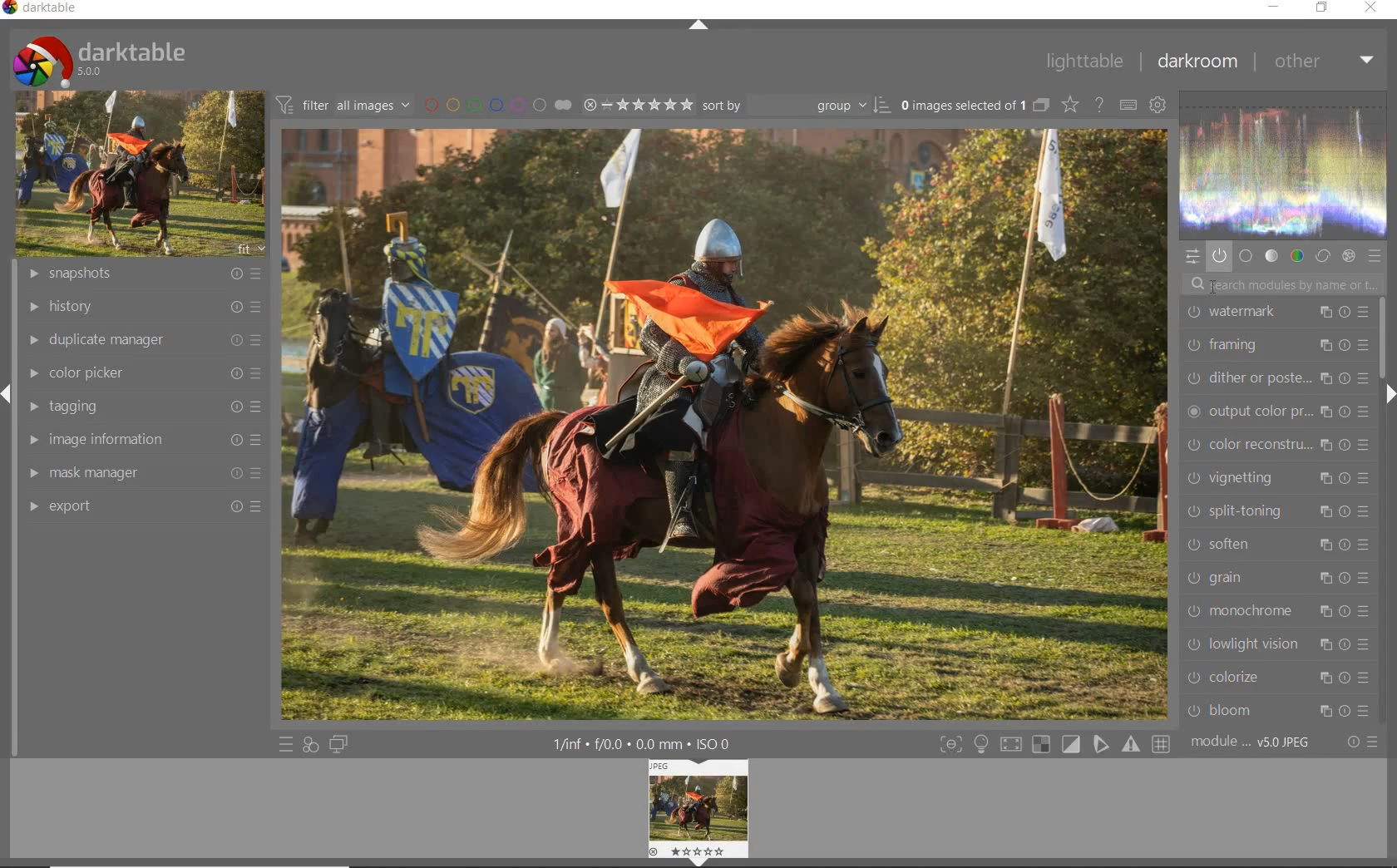  Describe the element at coordinates (1380, 338) in the screenshot. I see `scrollbar` at that location.